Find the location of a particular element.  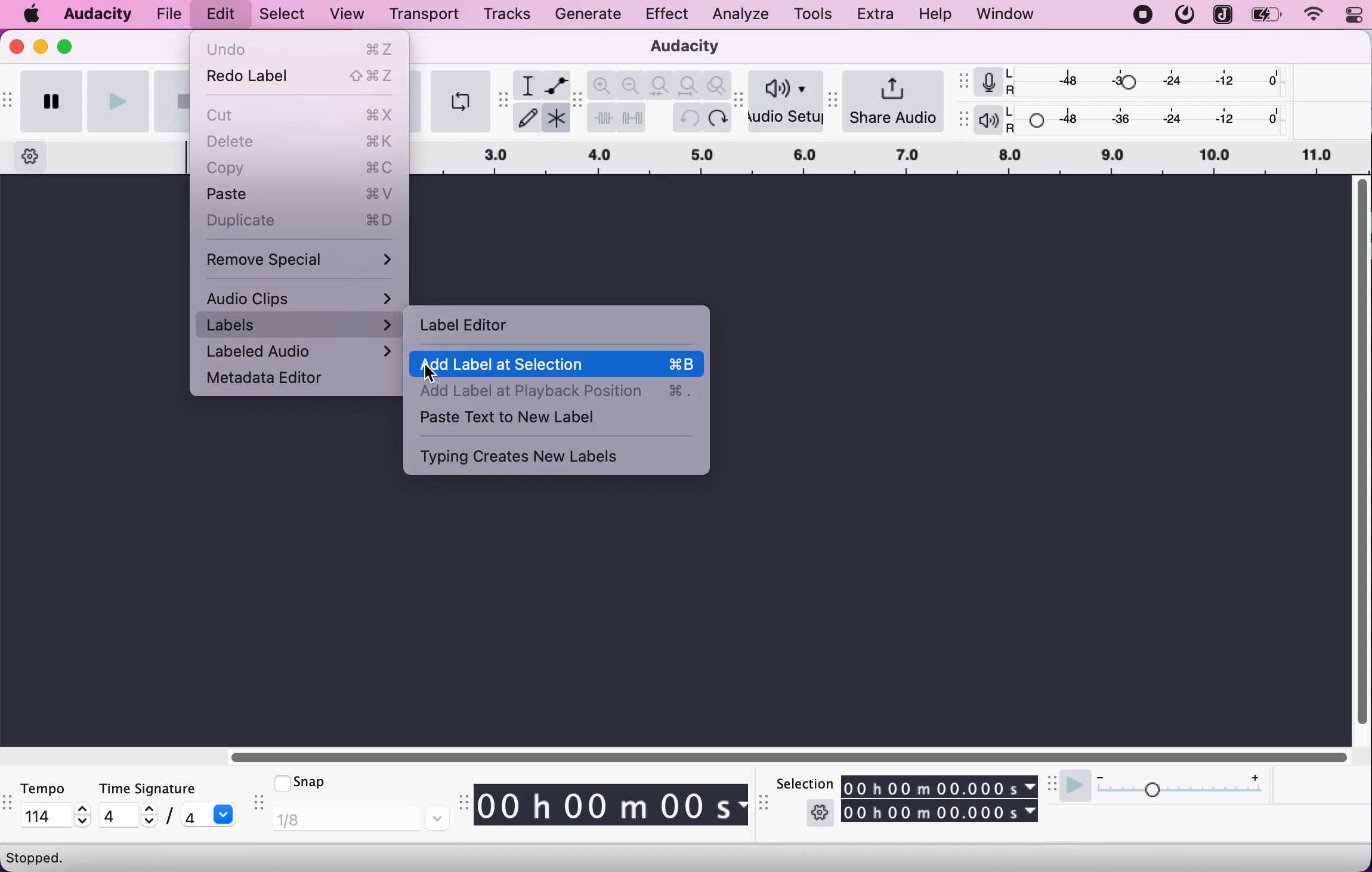

analyze is located at coordinates (737, 15).